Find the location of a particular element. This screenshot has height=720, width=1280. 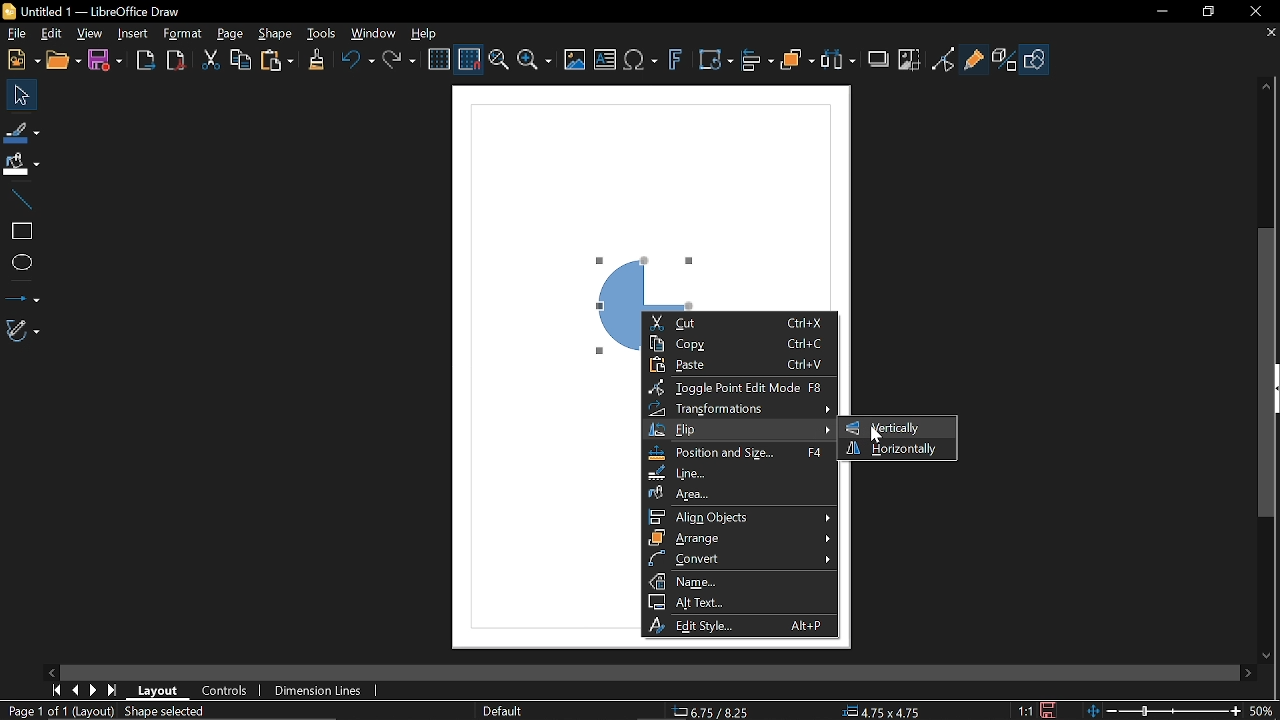

Format is located at coordinates (185, 35).